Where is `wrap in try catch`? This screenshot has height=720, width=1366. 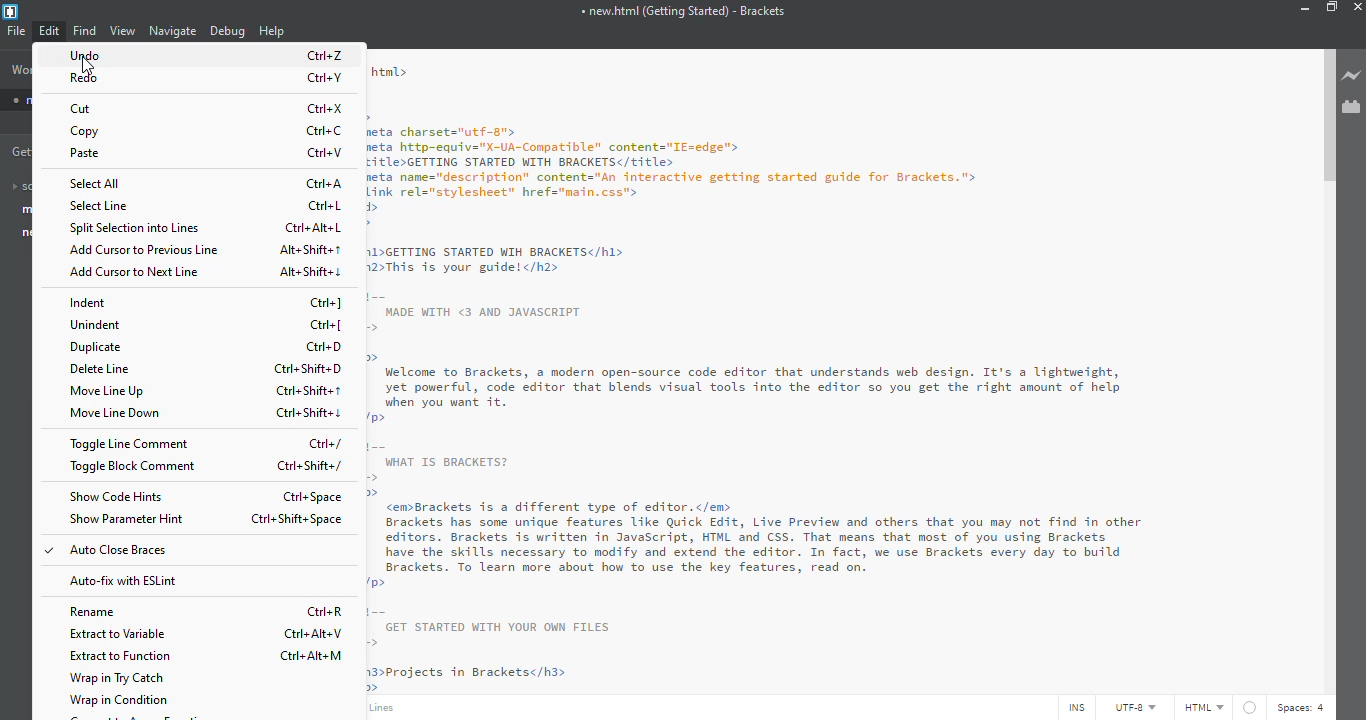 wrap in try catch is located at coordinates (124, 679).